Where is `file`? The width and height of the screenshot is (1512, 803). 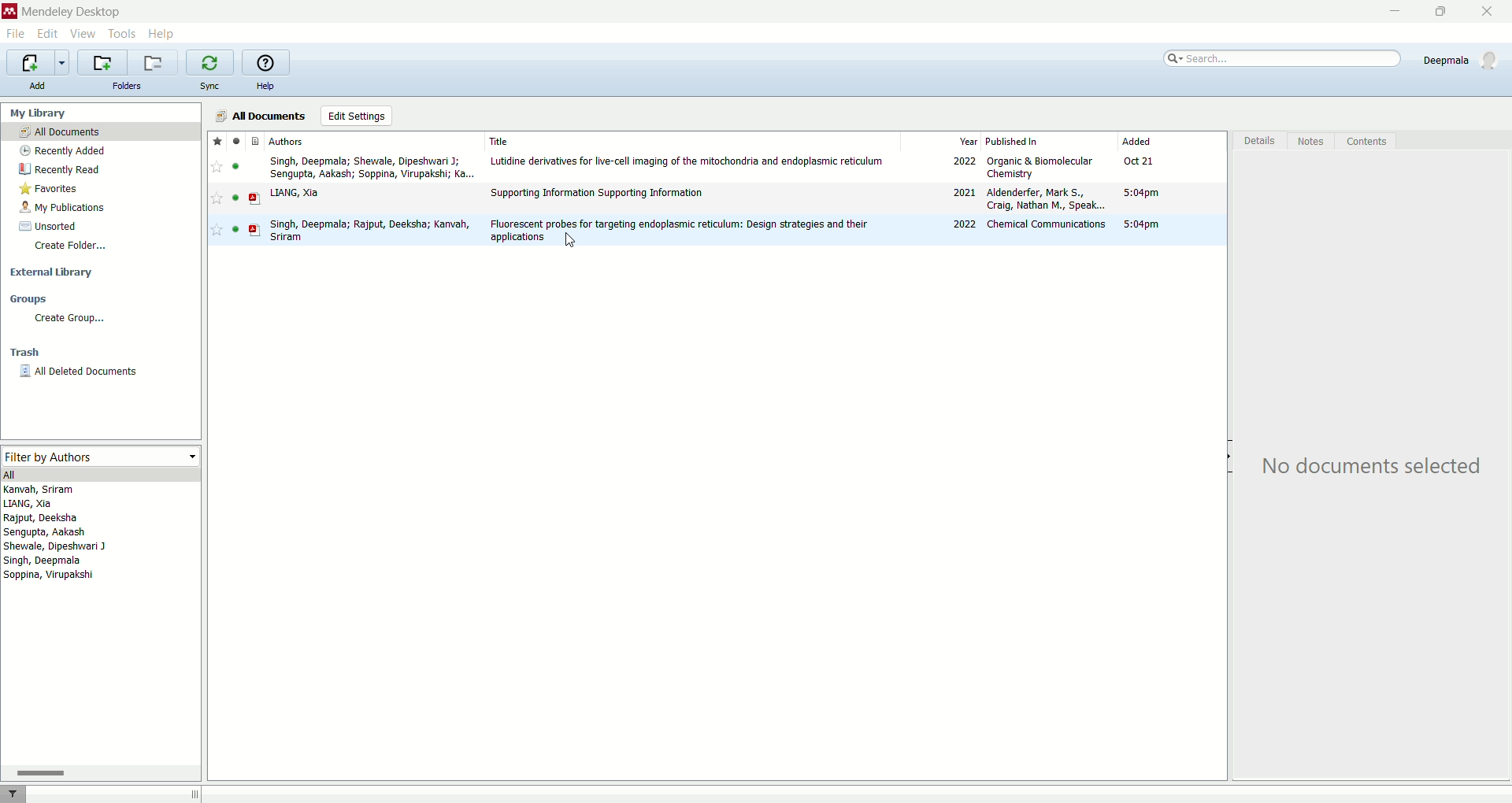 file is located at coordinates (17, 34).